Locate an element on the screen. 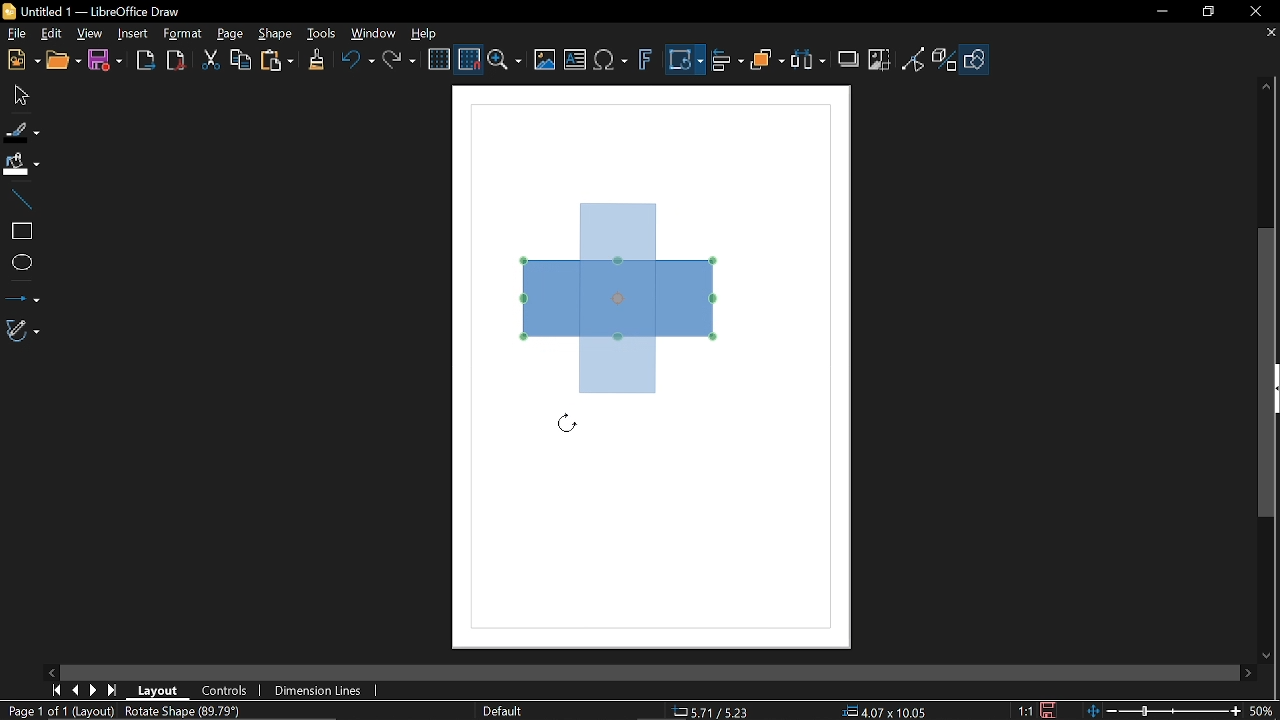 The height and width of the screenshot is (720, 1280). Rectangle (selected diagram) is located at coordinates (622, 297).